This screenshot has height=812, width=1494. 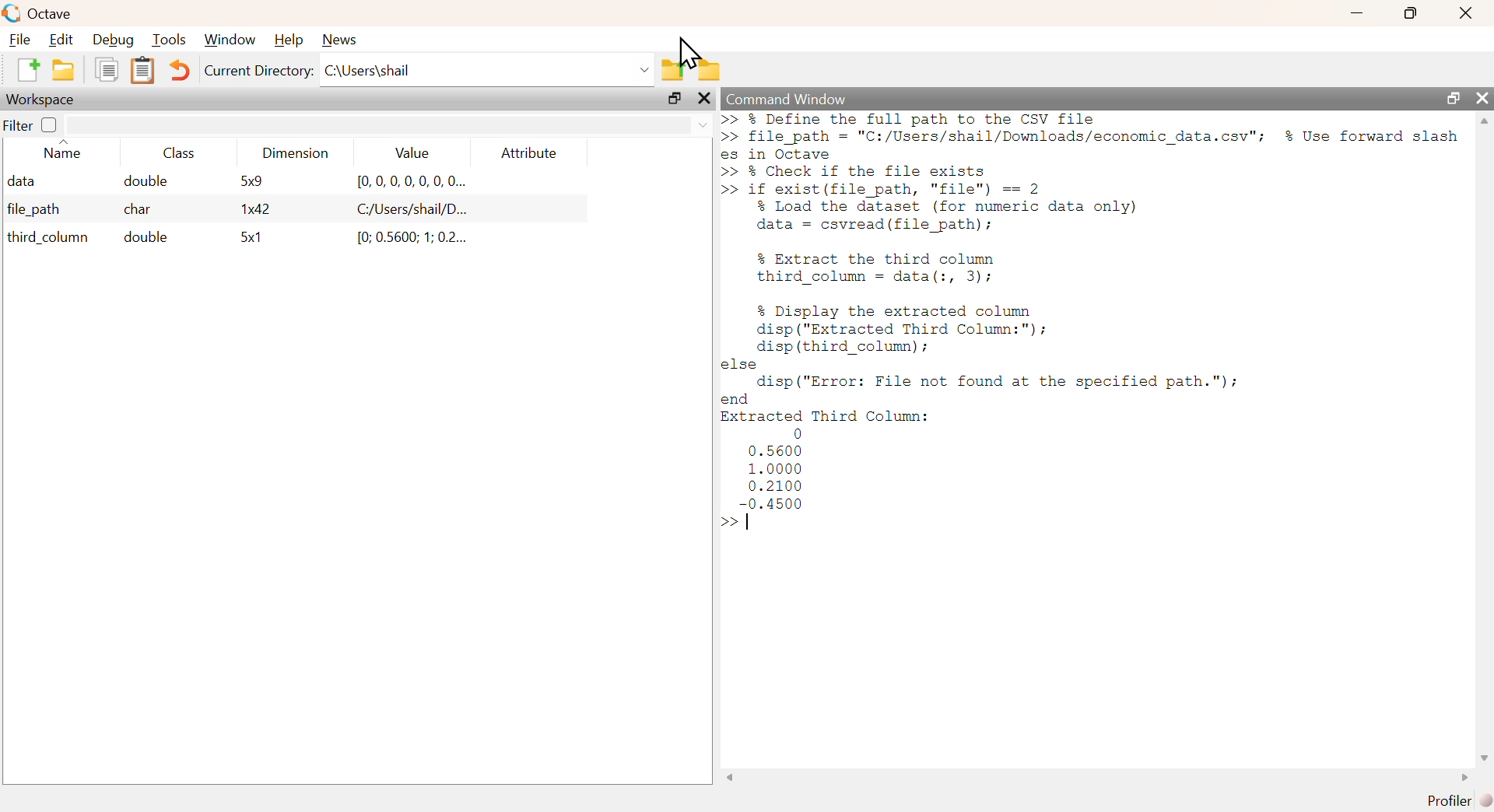 What do you see at coordinates (1451, 100) in the screenshot?
I see `restore down` at bounding box center [1451, 100].